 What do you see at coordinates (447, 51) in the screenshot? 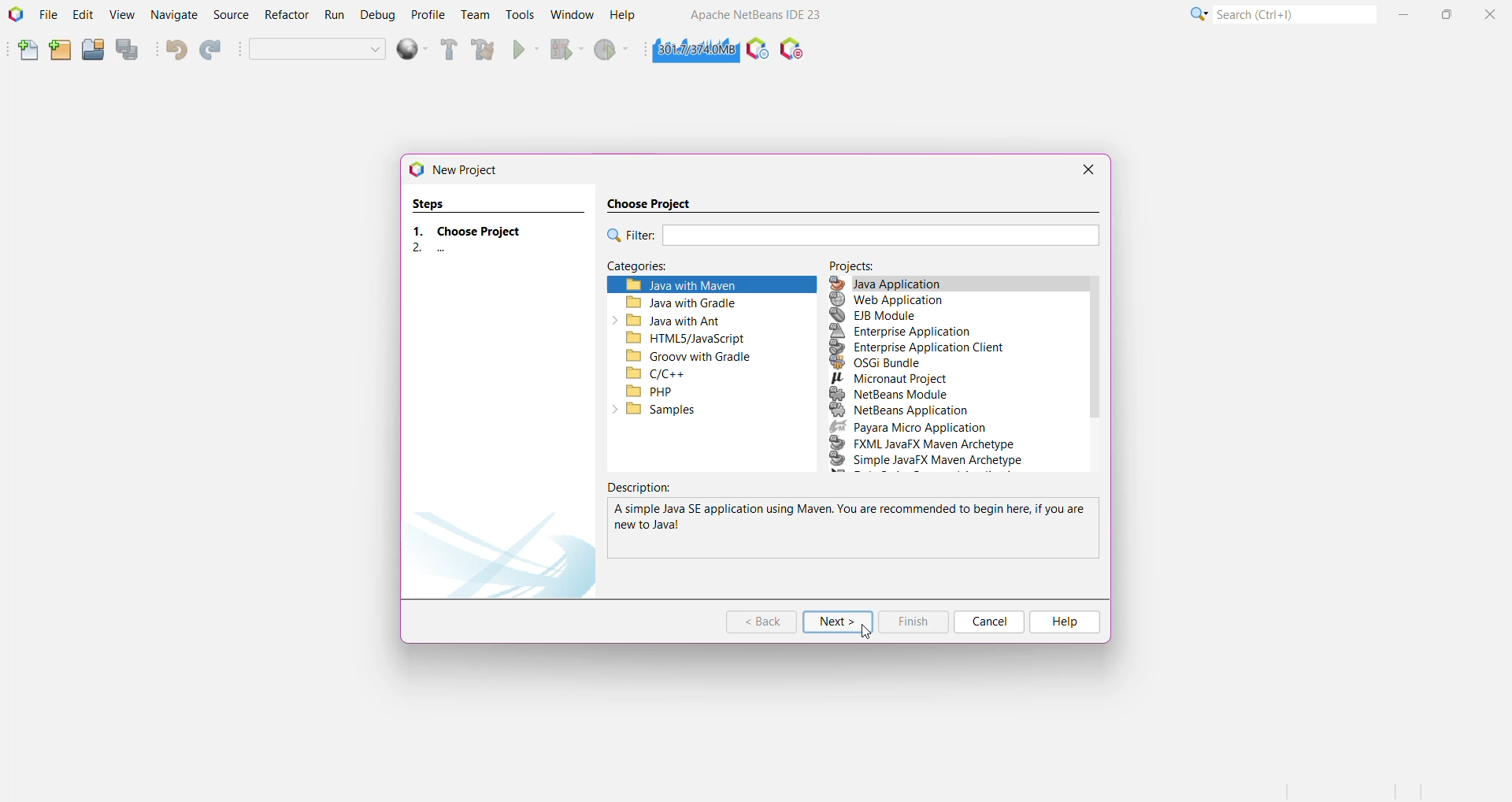
I see `Build Project` at bounding box center [447, 51].